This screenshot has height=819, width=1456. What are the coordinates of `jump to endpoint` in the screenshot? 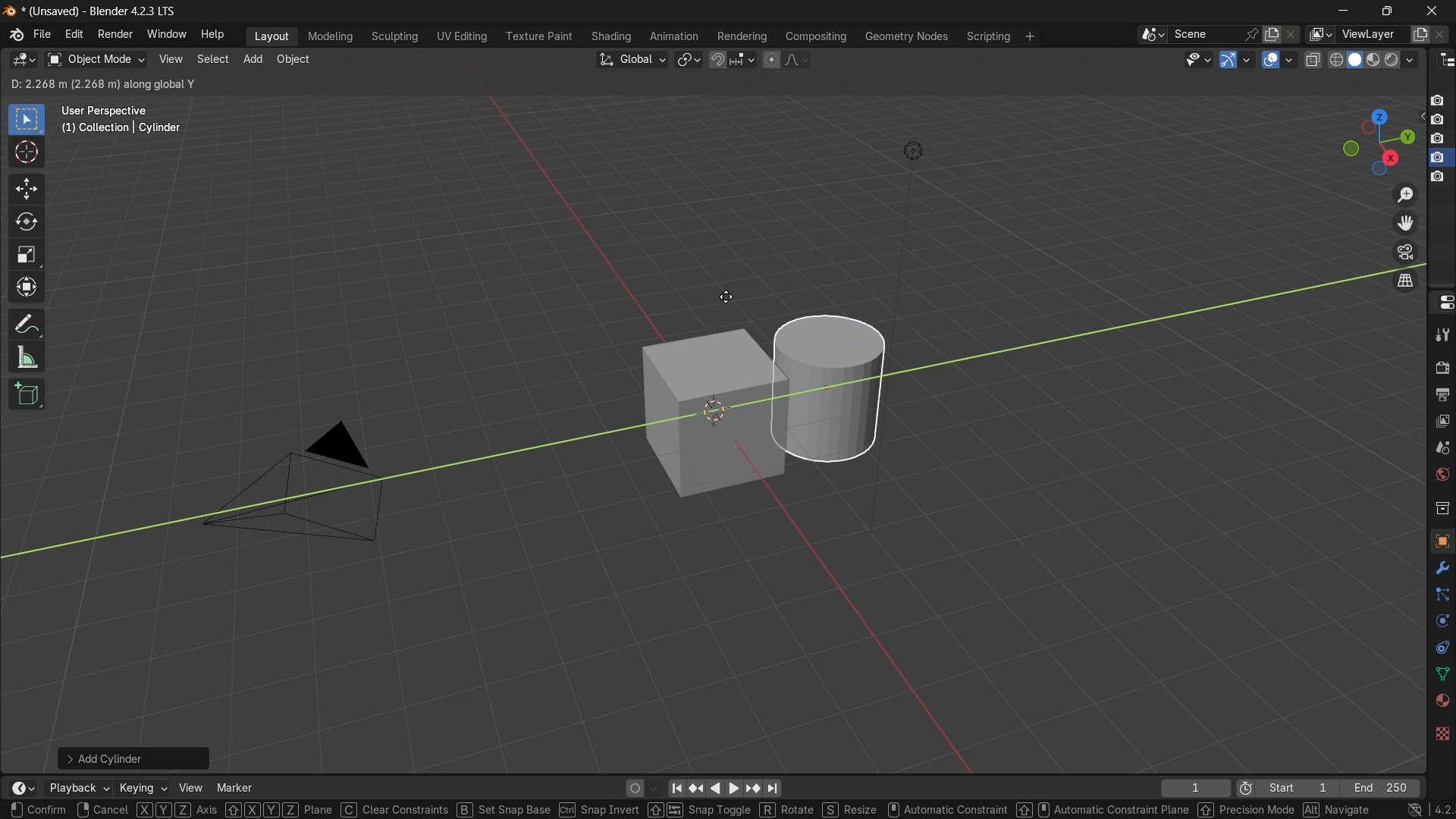 It's located at (772, 789).